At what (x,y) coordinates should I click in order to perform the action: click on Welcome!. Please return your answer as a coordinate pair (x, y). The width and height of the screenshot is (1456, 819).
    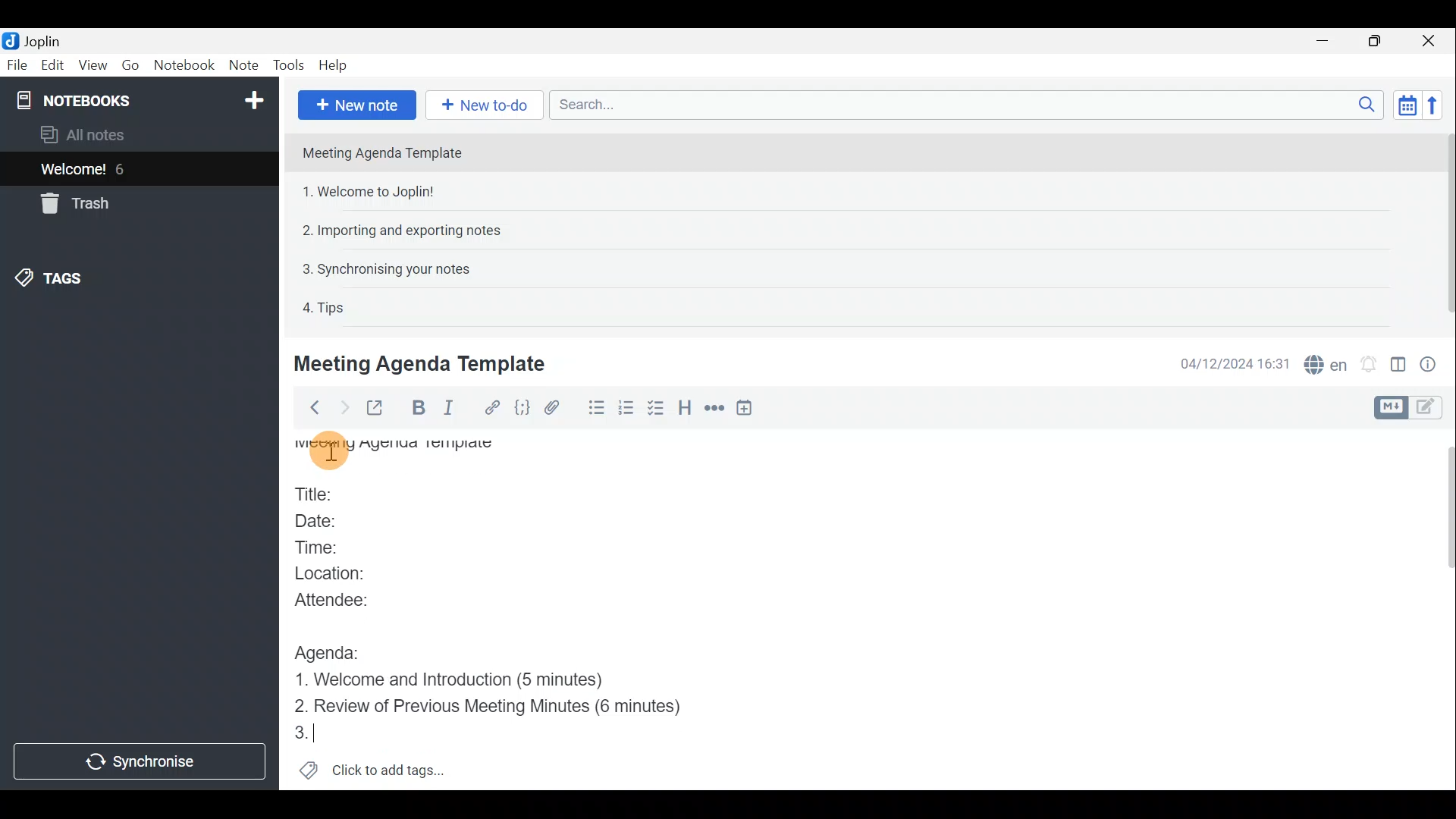
    Looking at the image, I should click on (74, 171).